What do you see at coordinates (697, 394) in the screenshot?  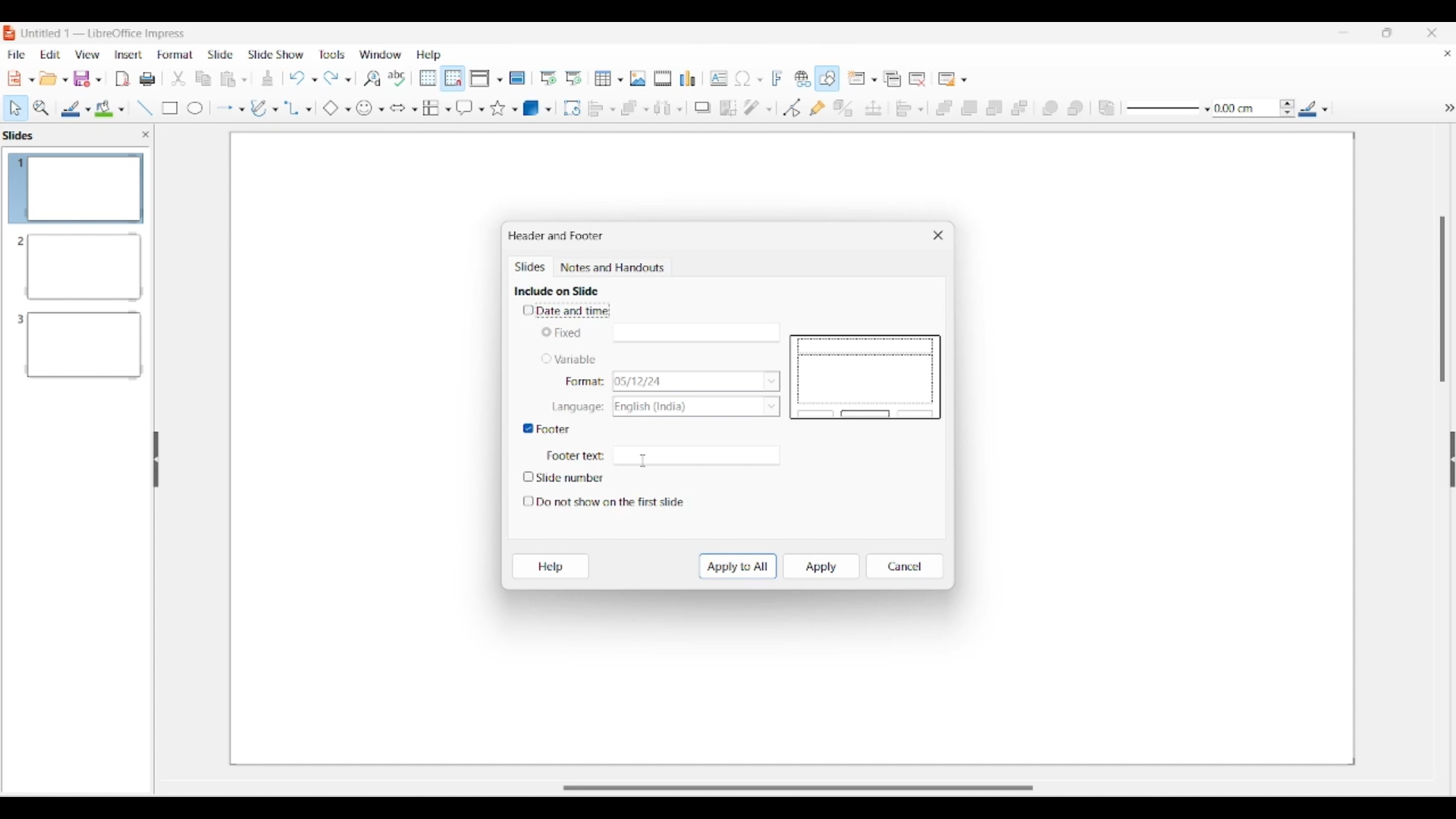 I see `List options for respective Variable characteristics` at bounding box center [697, 394].